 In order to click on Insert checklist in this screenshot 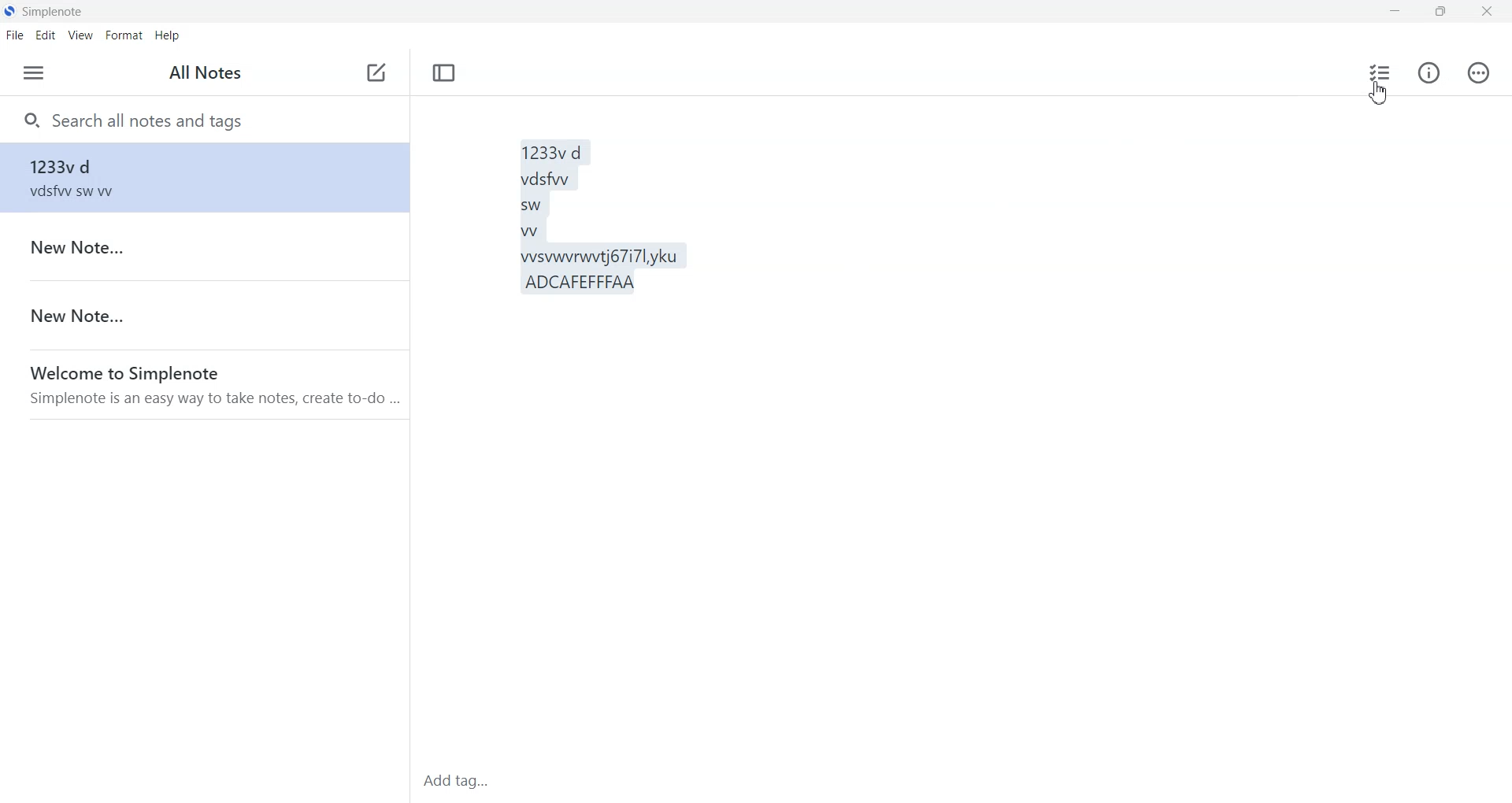, I will do `click(1378, 72)`.